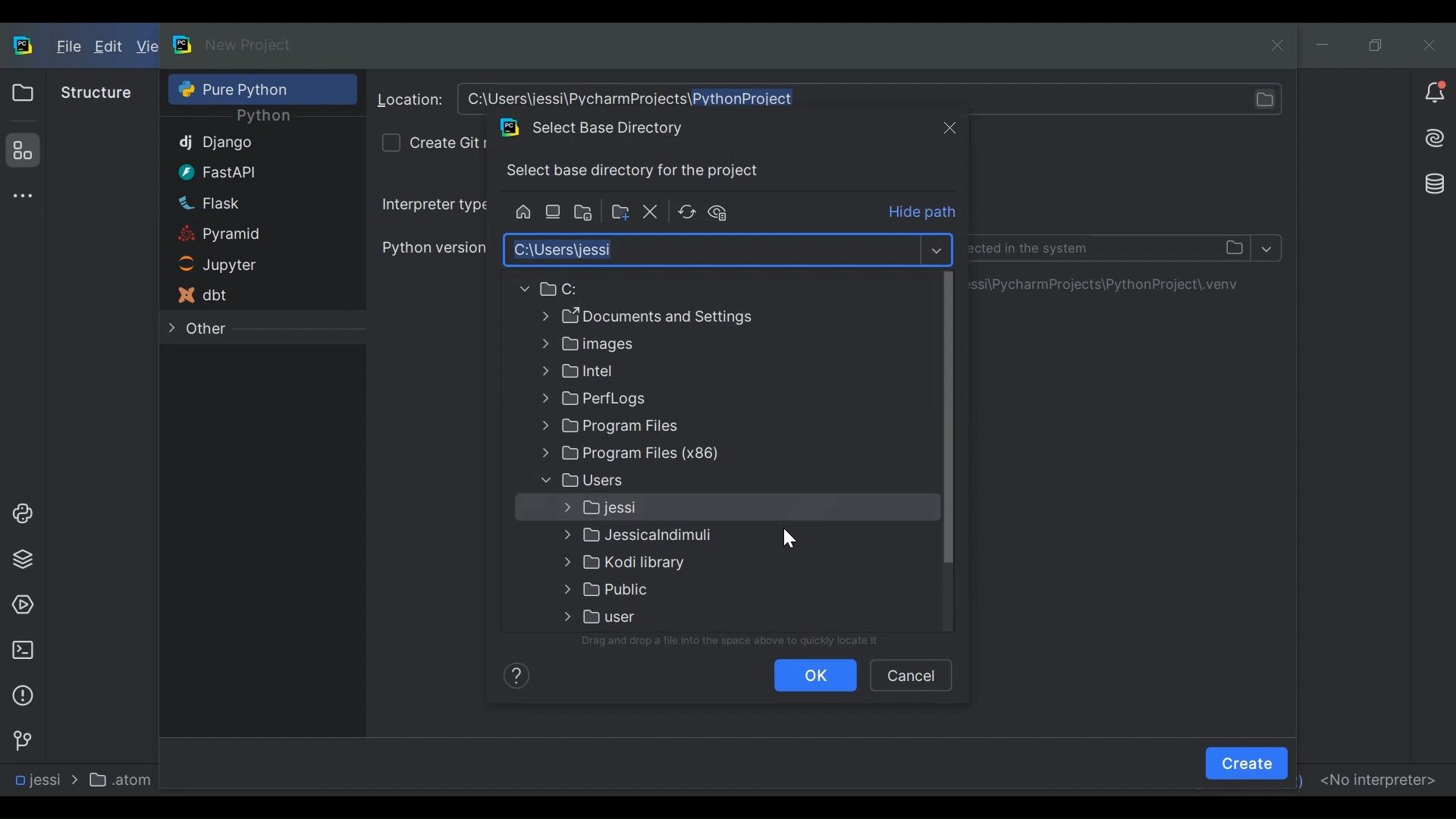 This screenshot has width=1456, height=819. Describe the element at coordinates (242, 202) in the screenshot. I see `Flask` at that location.